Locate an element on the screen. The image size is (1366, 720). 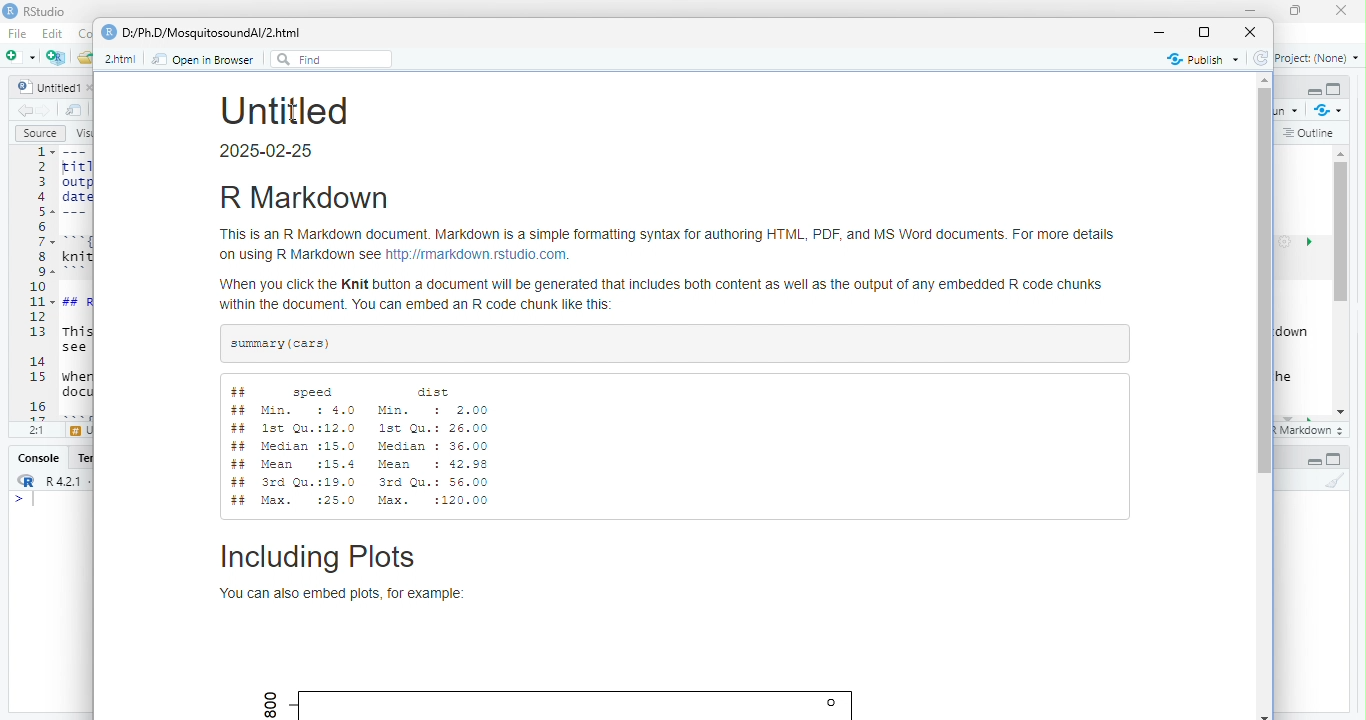
############## is located at coordinates (241, 447).